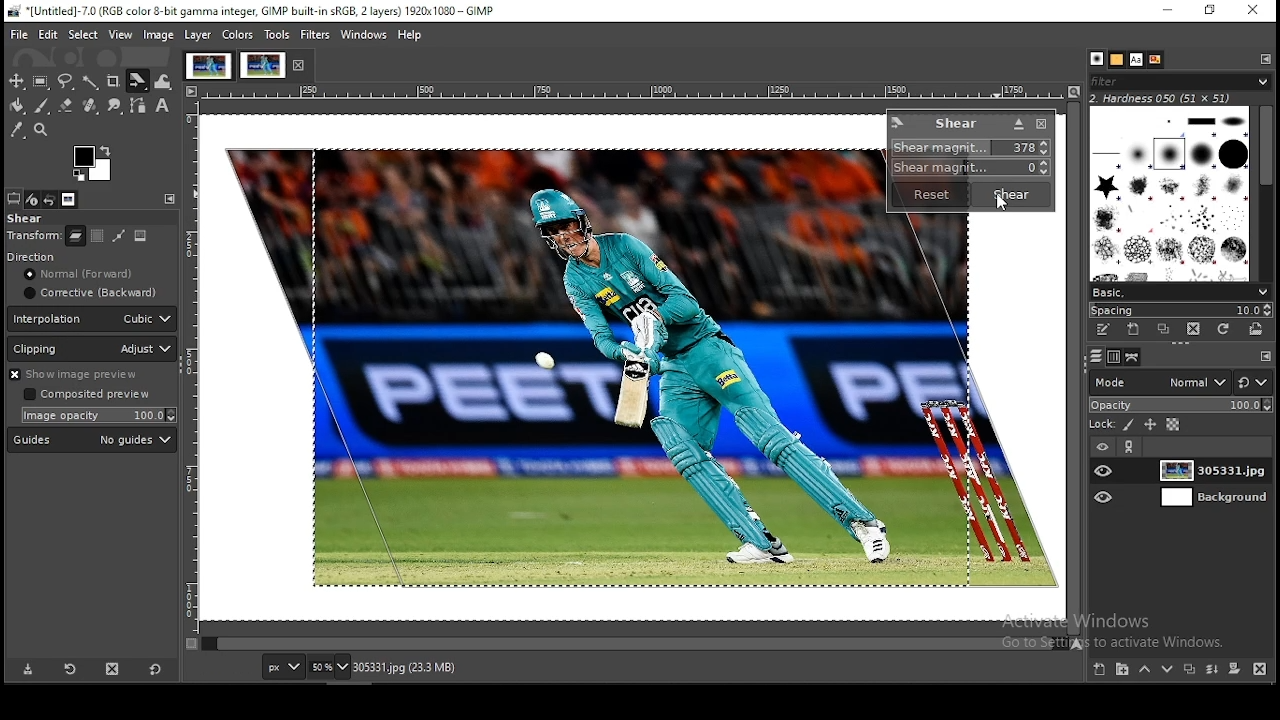 The image size is (1280, 720). Describe the element at coordinates (19, 130) in the screenshot. I see `color picker tool` at that location.